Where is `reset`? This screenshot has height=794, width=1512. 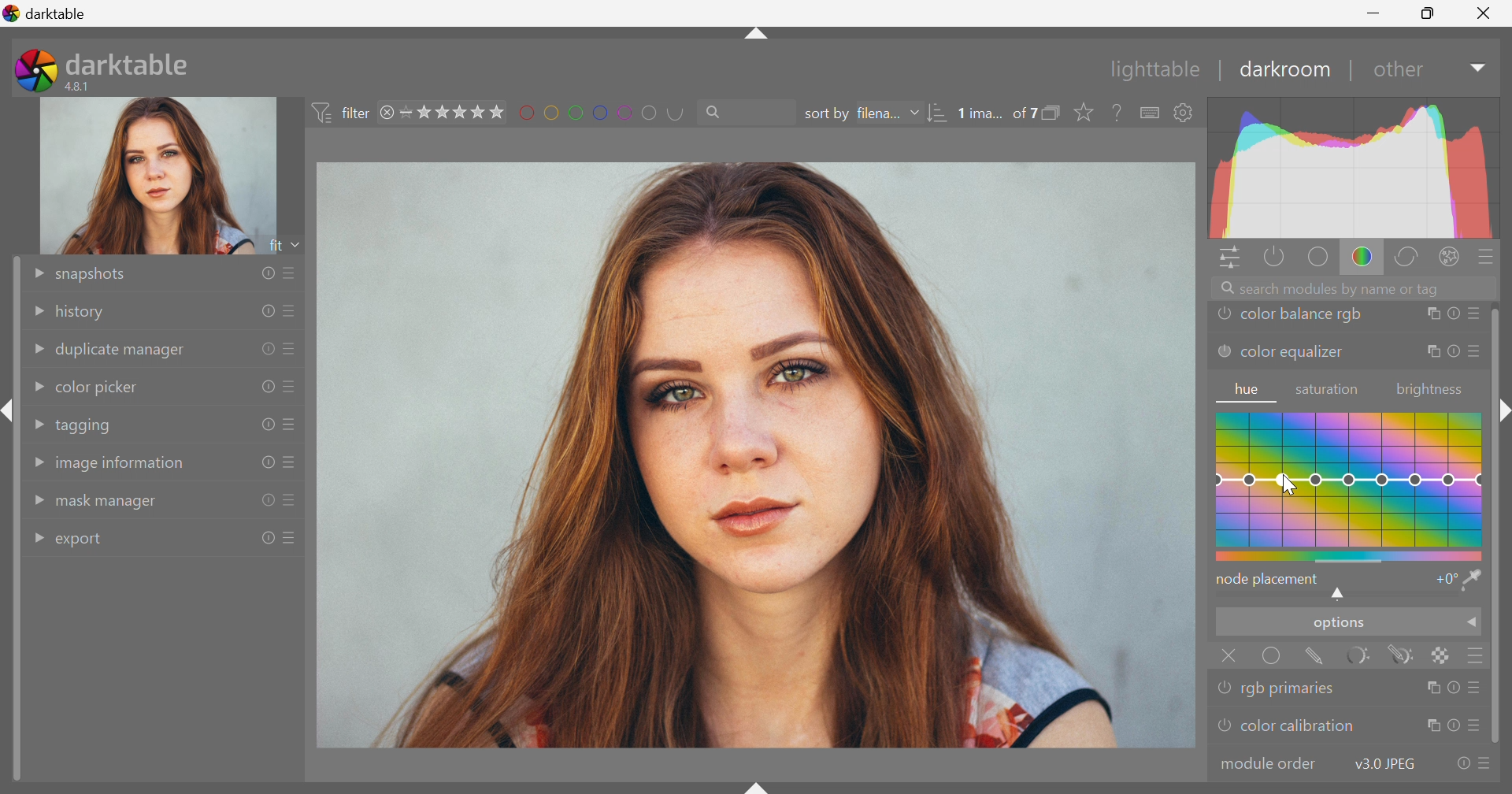
reset is located at coordinates (263, 387).